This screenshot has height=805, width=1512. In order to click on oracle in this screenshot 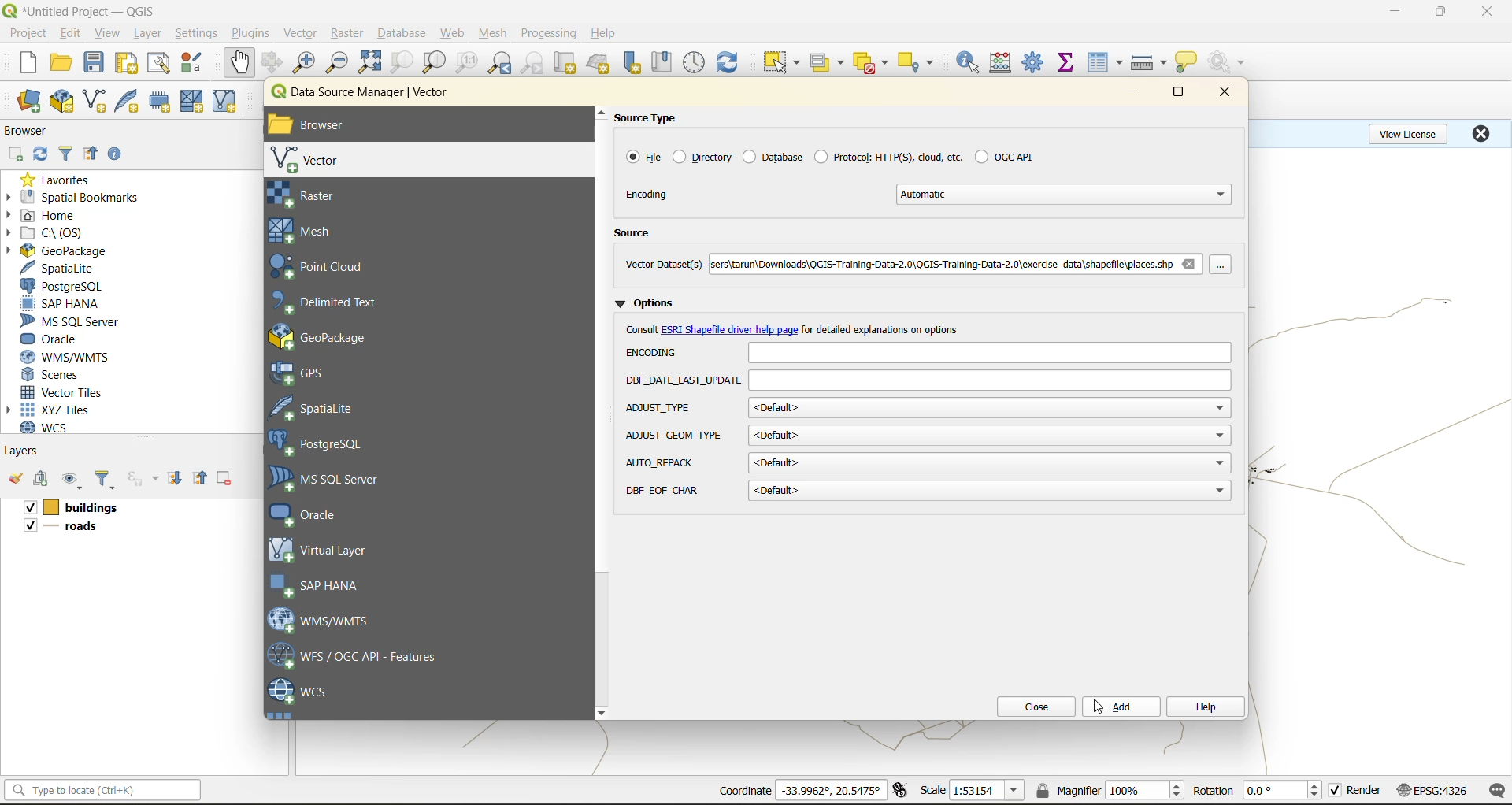, I will do `click(55, 339)`.